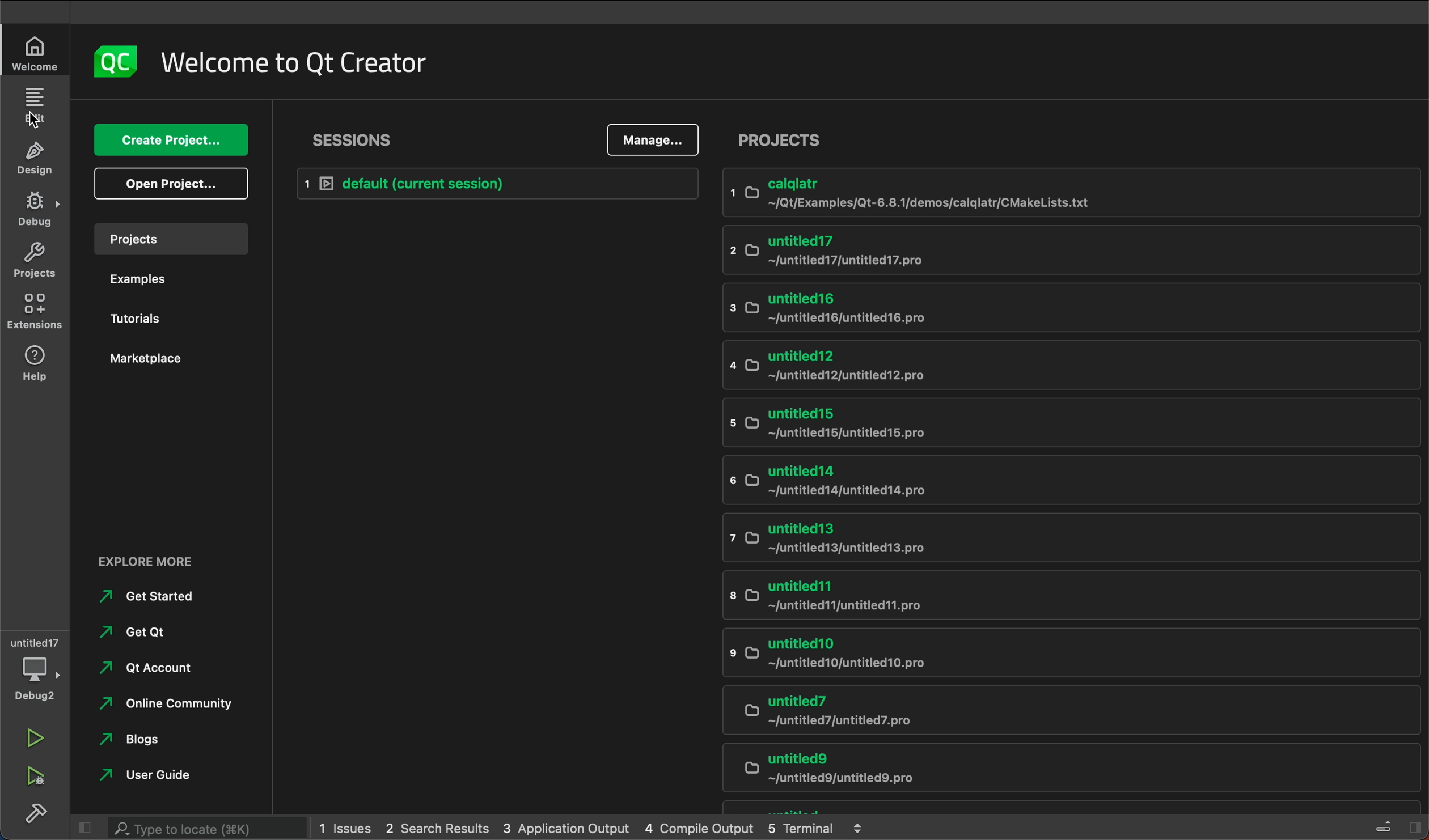  What do you see at coordinates (130, 635) in the screenshot?
I see `get qt` at bounding box center [130, 635].